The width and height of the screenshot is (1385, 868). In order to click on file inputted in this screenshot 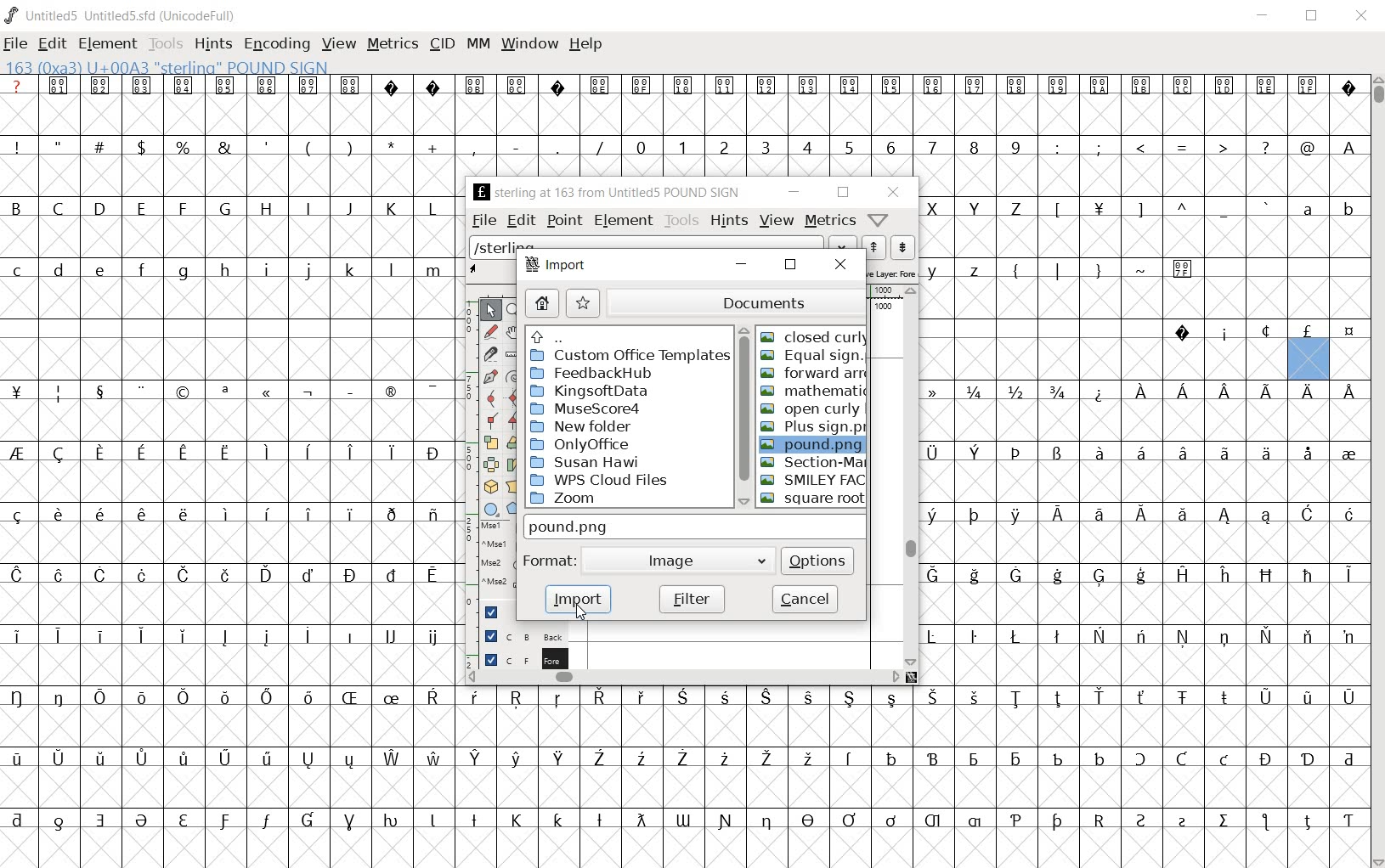, I will do `click(693, 527)`.